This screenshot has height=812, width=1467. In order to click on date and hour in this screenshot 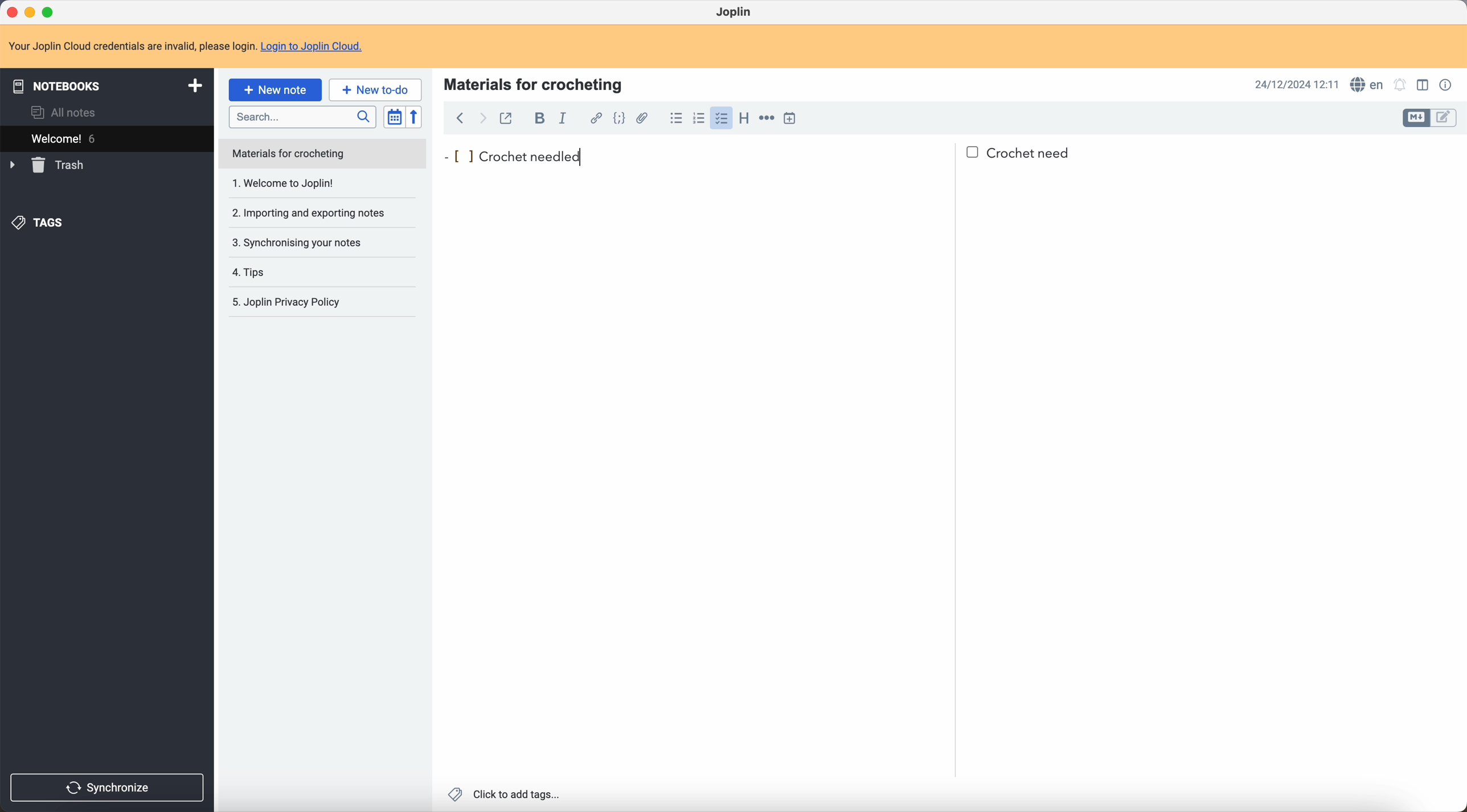, I will do `click(1297, 84)`.